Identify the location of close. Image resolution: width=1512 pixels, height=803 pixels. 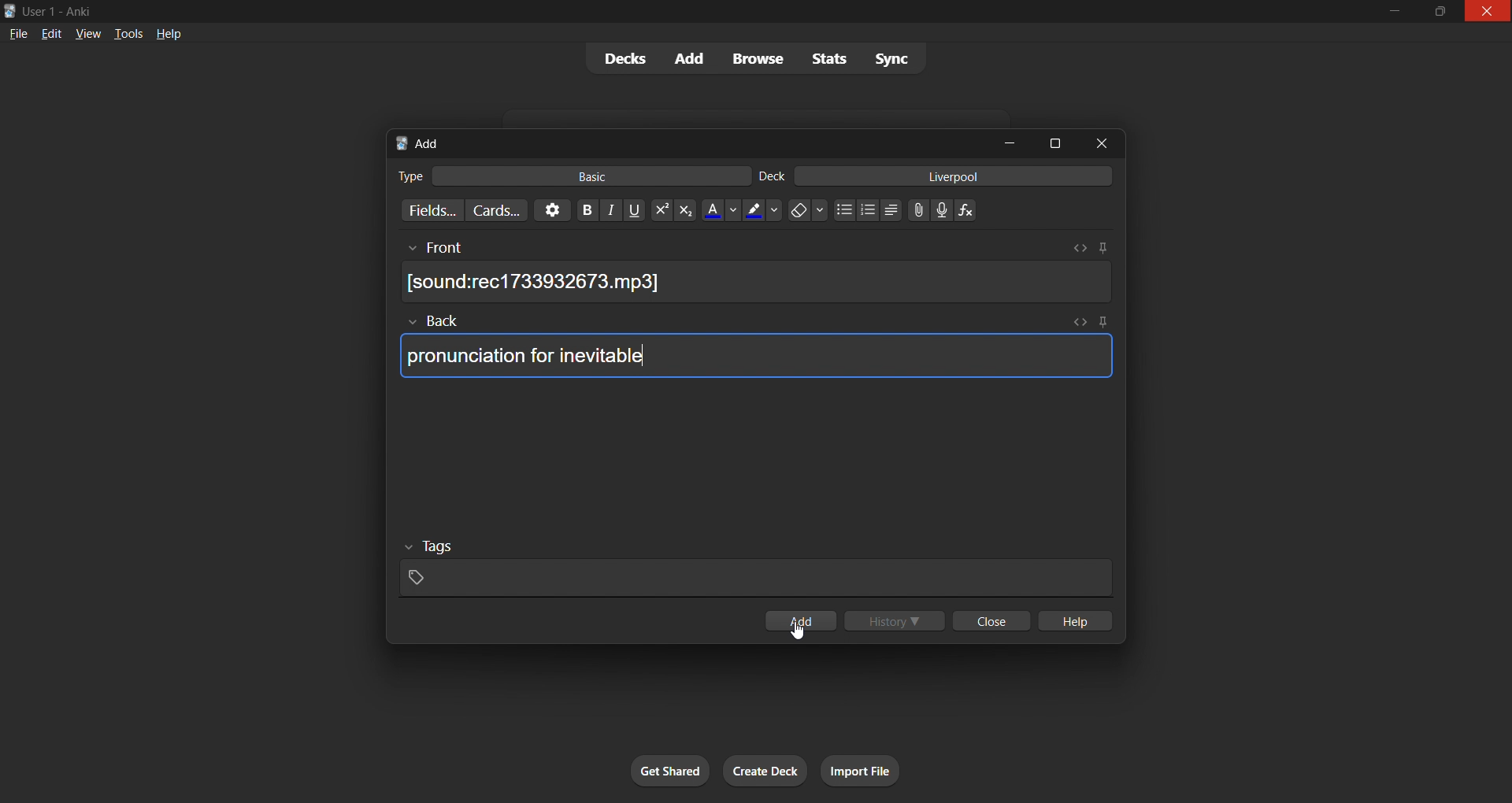
(1487, 13).